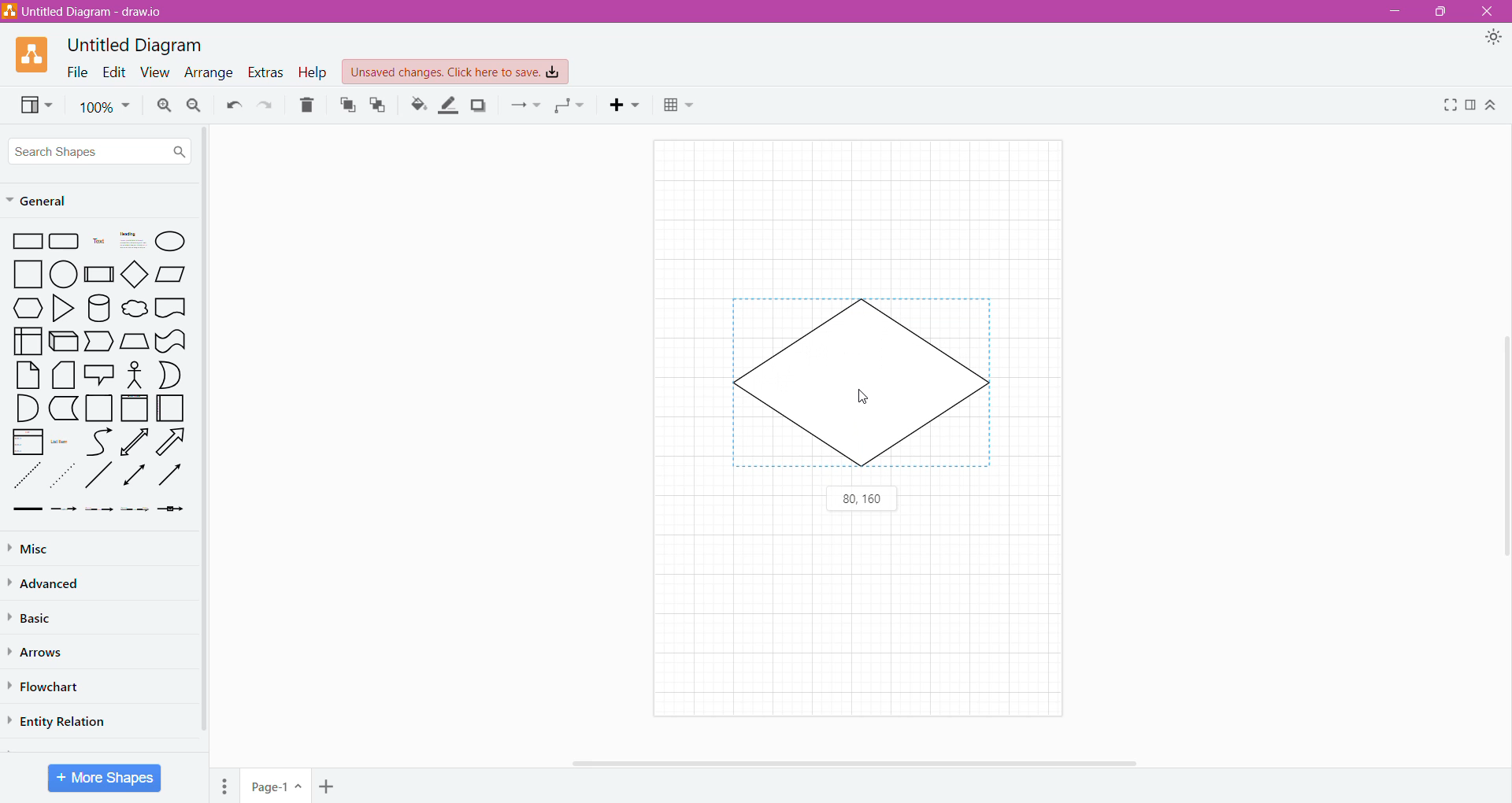  What do you see at coordinates (28, 479) in the screenshot?
I see `Dashed Line` at bounding box center [28, 479].